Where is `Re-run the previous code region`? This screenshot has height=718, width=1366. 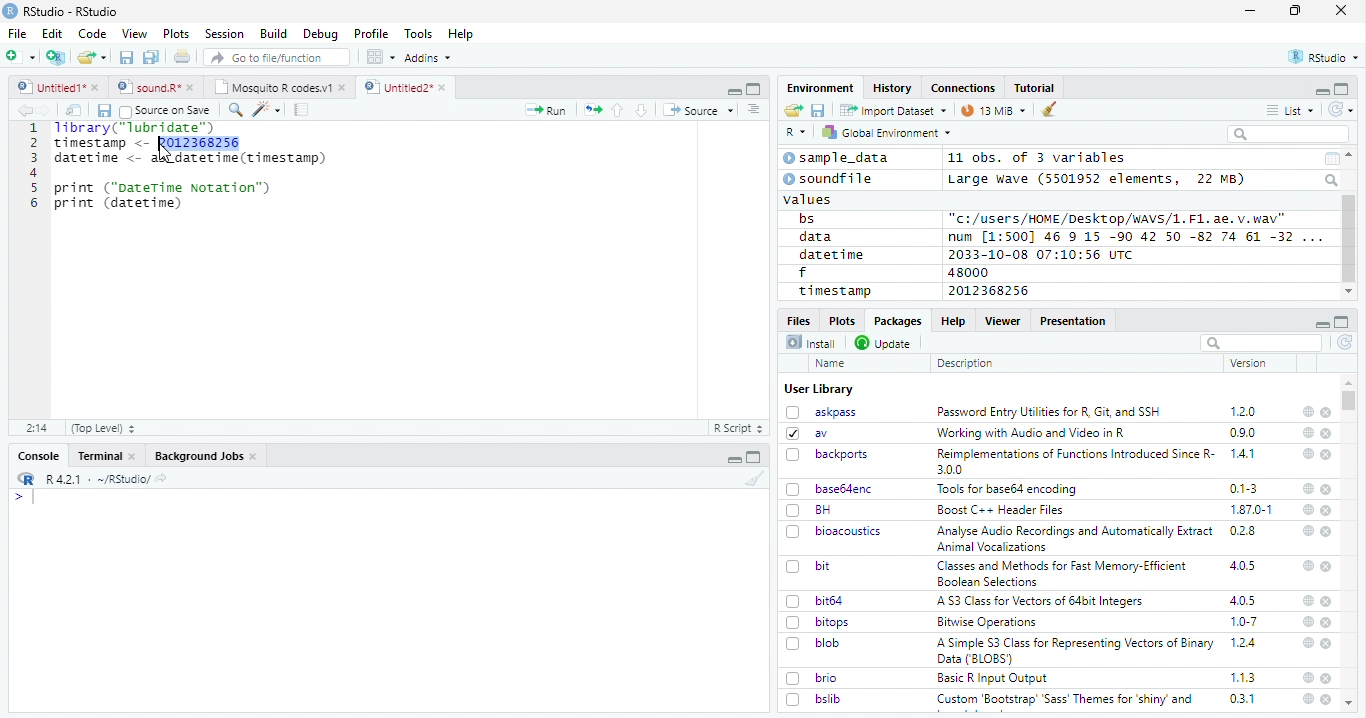 Re-run the previous code region is located at coordinates (591, 111).